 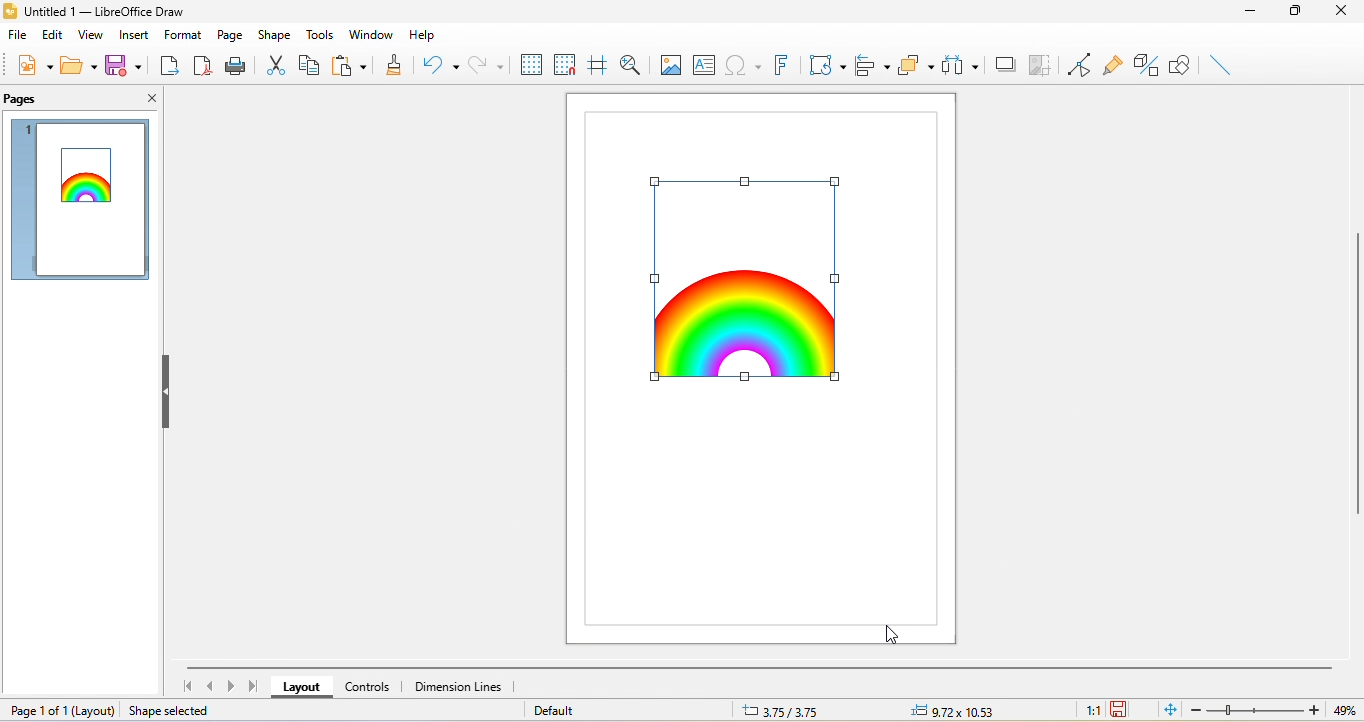 I want to click on view, so click(x=93, y=38).